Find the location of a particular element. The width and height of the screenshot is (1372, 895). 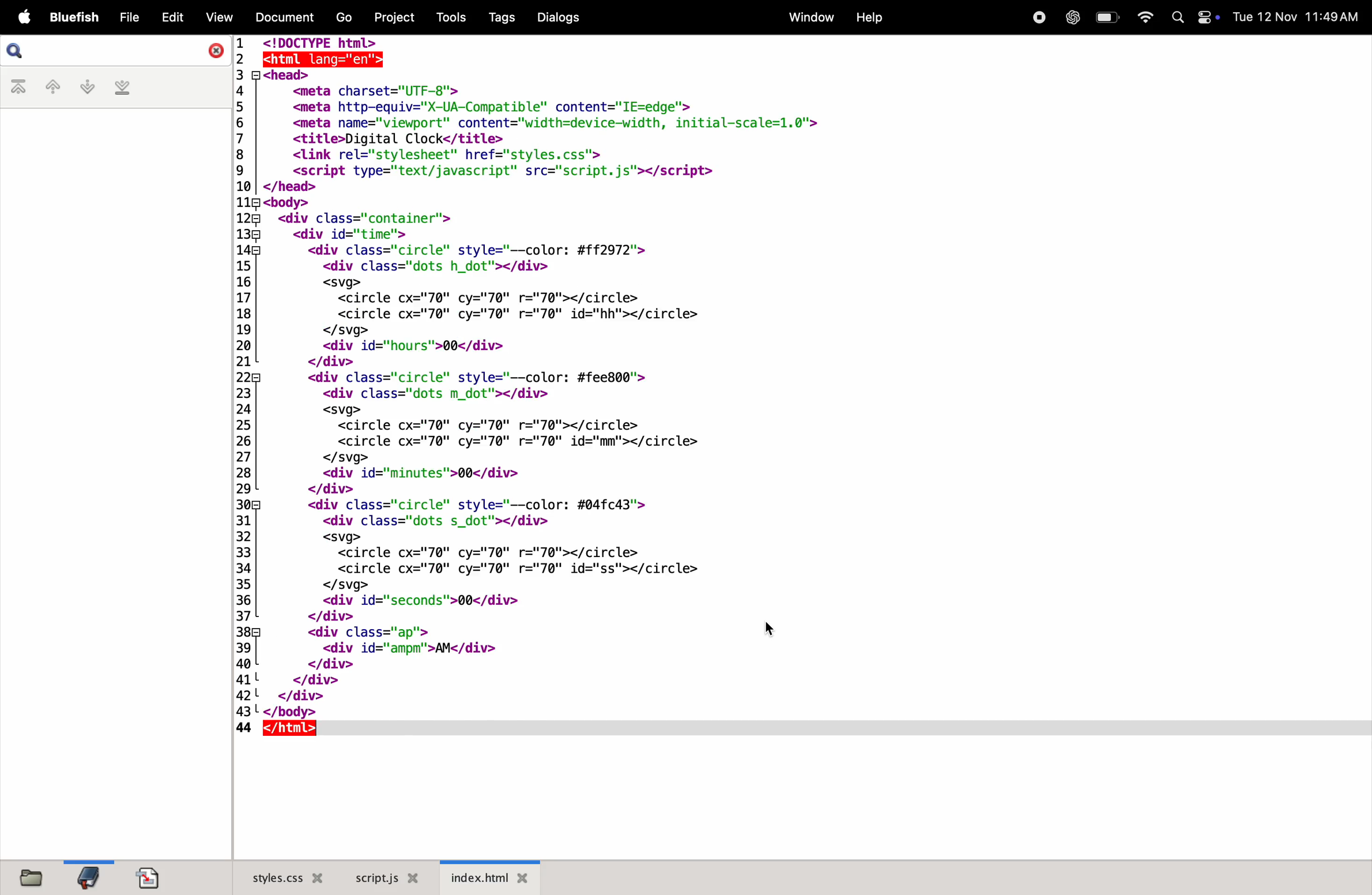

tags is located at coordinates (504, 17).